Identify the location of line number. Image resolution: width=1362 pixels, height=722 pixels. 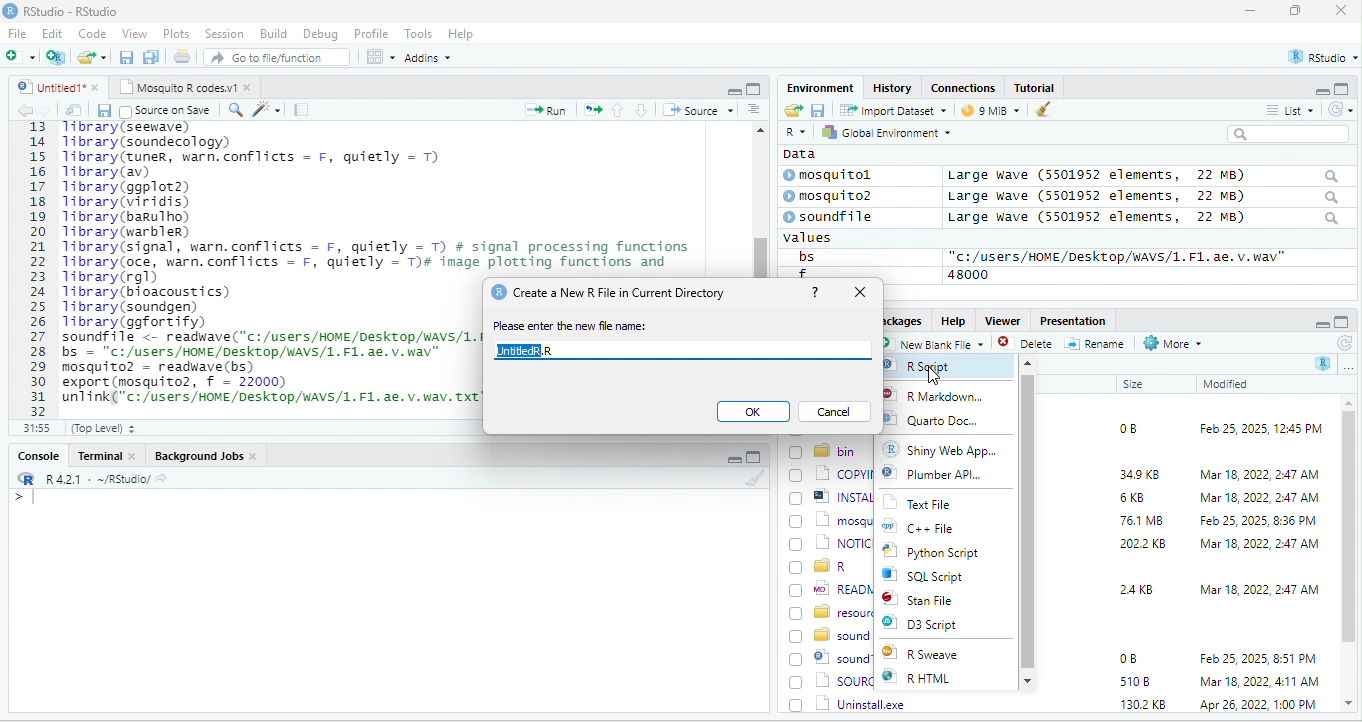
(40, 268).